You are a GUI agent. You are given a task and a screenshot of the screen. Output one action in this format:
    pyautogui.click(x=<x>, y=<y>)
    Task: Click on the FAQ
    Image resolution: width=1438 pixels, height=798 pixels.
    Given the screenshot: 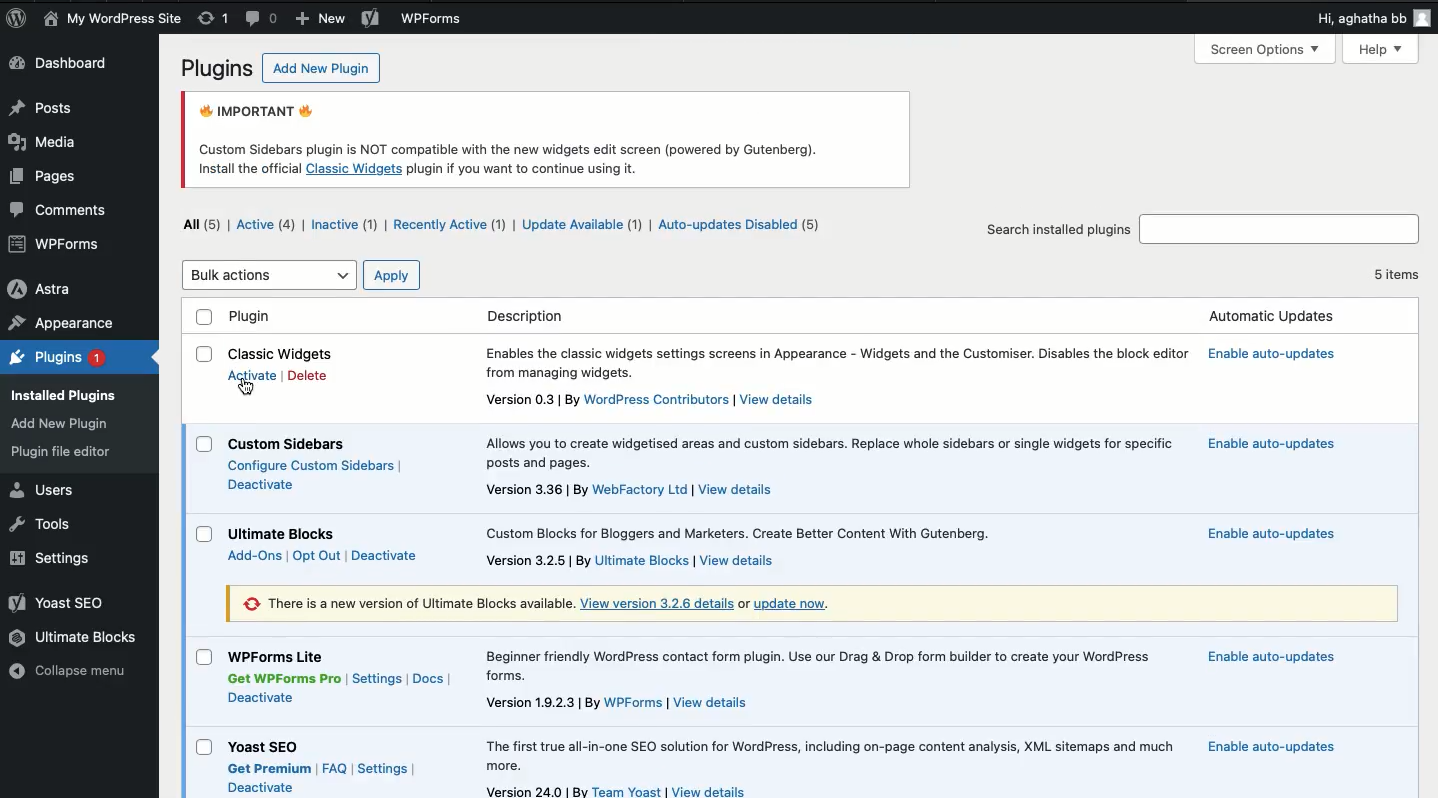 What is the action you would take?
    pyautogui.click(x=334, y=765)
    